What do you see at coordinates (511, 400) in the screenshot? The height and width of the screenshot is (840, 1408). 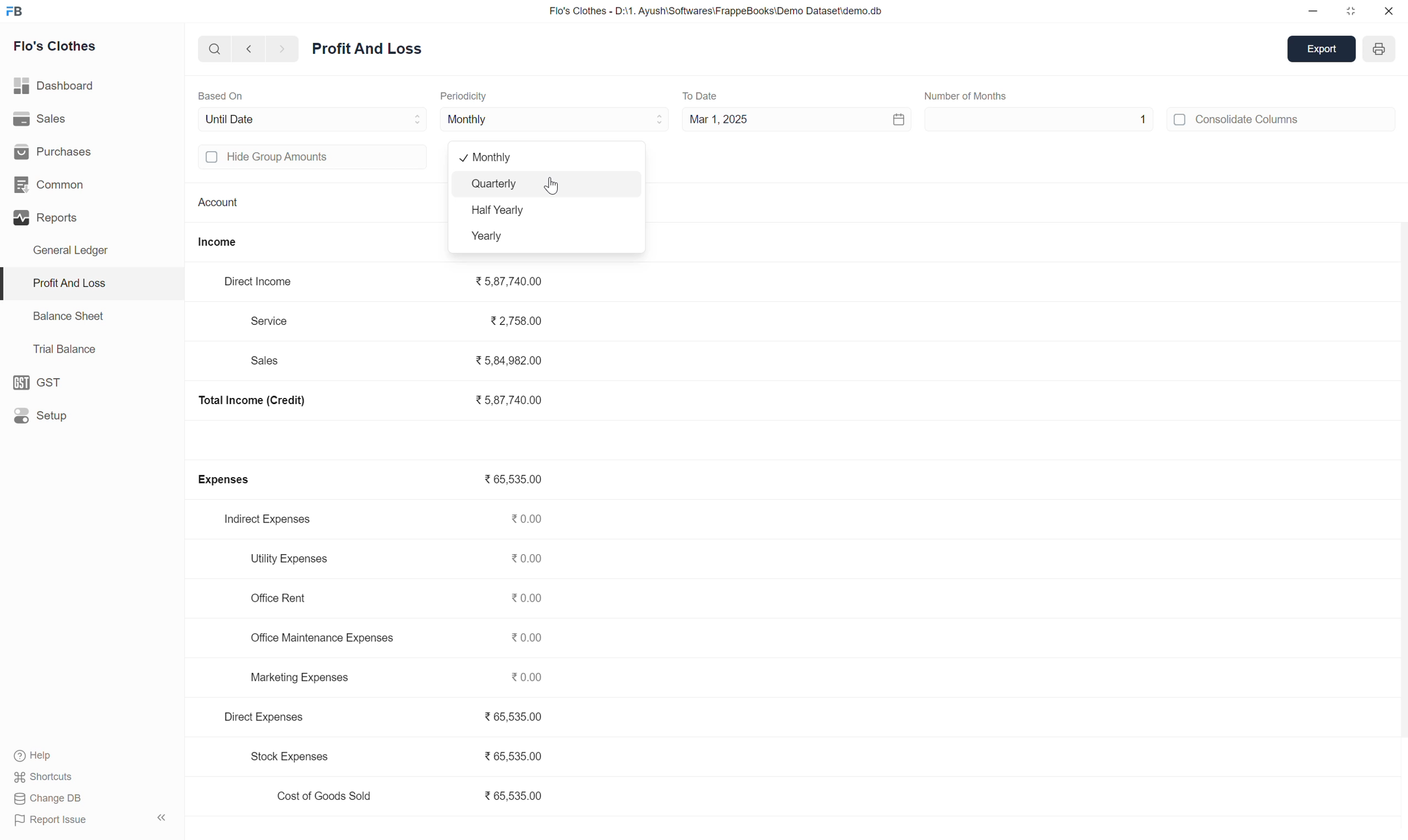 I see `₹5,87,740.00` at bounding box center [511, 400].